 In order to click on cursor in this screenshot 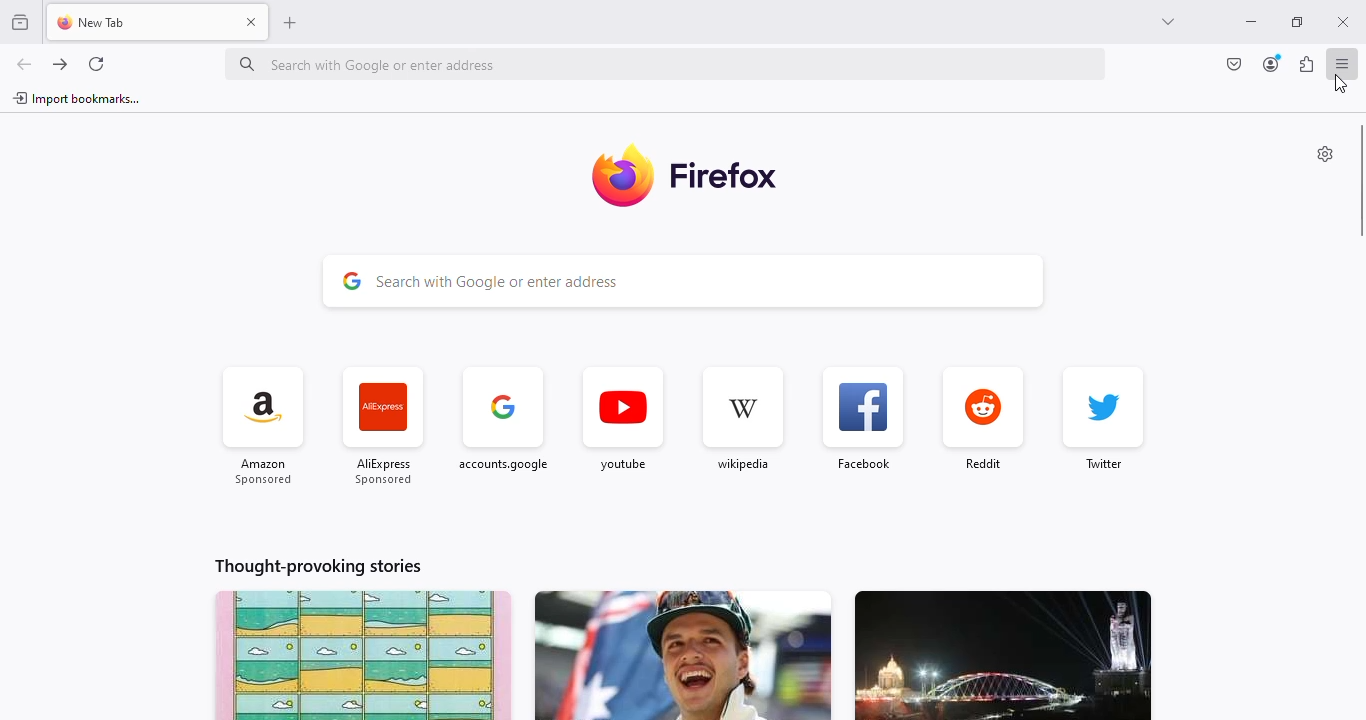, I will do `click(1340, 84)`.